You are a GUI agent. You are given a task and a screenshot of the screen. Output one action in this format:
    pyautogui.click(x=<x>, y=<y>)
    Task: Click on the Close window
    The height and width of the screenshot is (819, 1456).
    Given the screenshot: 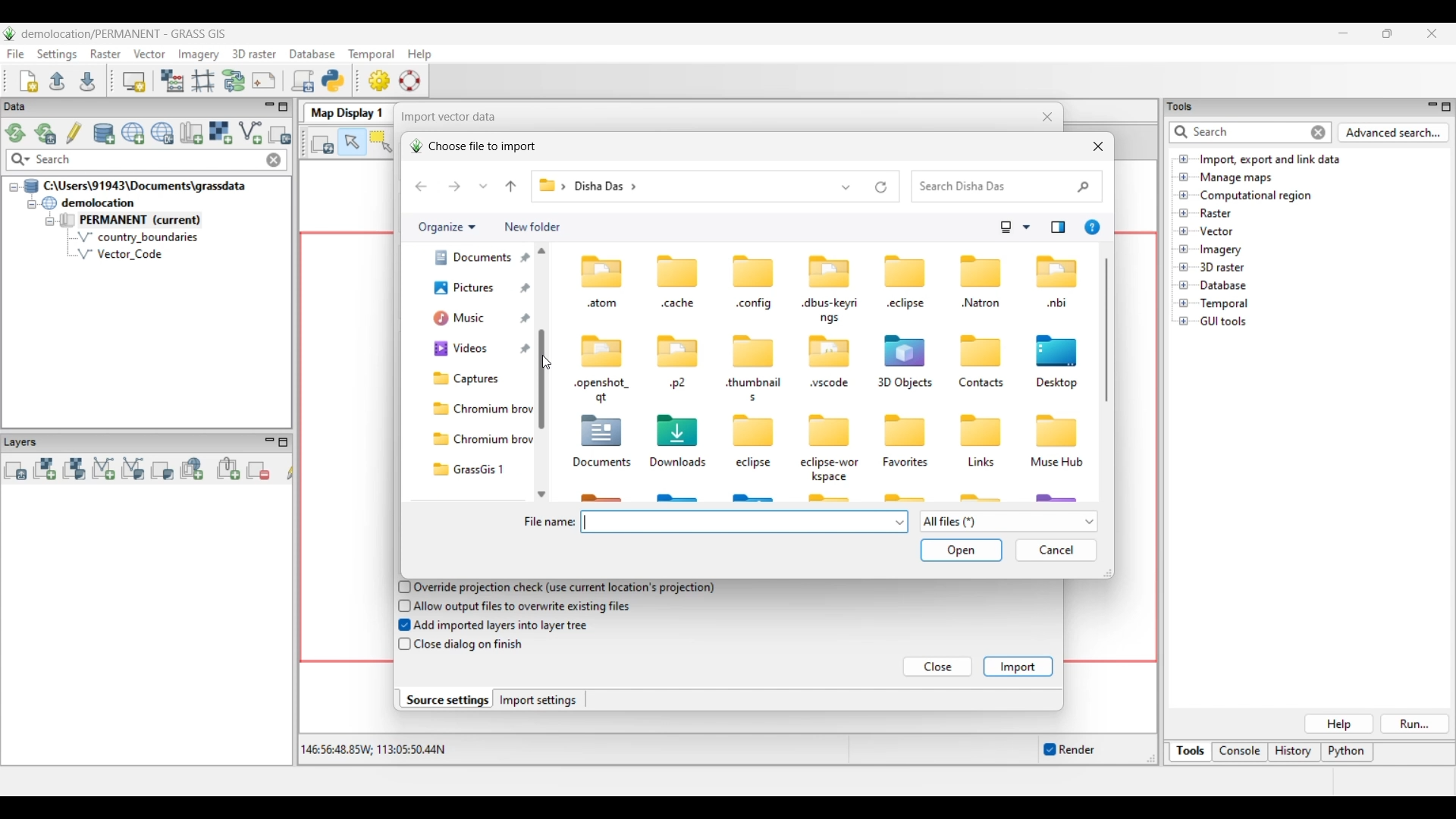 What is the action you would take?
    pyautogui.click(x=1048, y=117)
    